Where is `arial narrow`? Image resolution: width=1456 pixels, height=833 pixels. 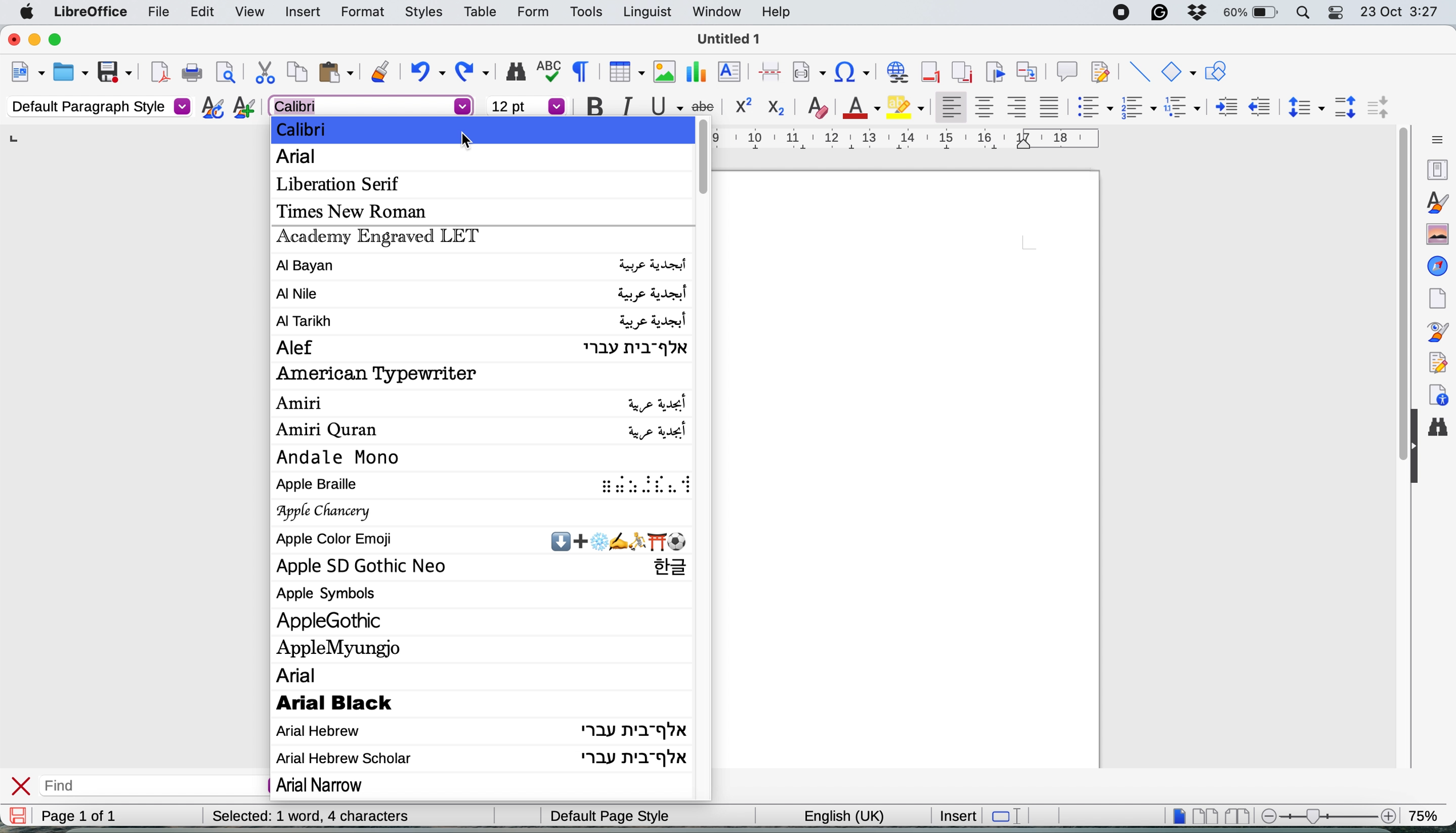
arial narrow is located at coordinates (332, 787).